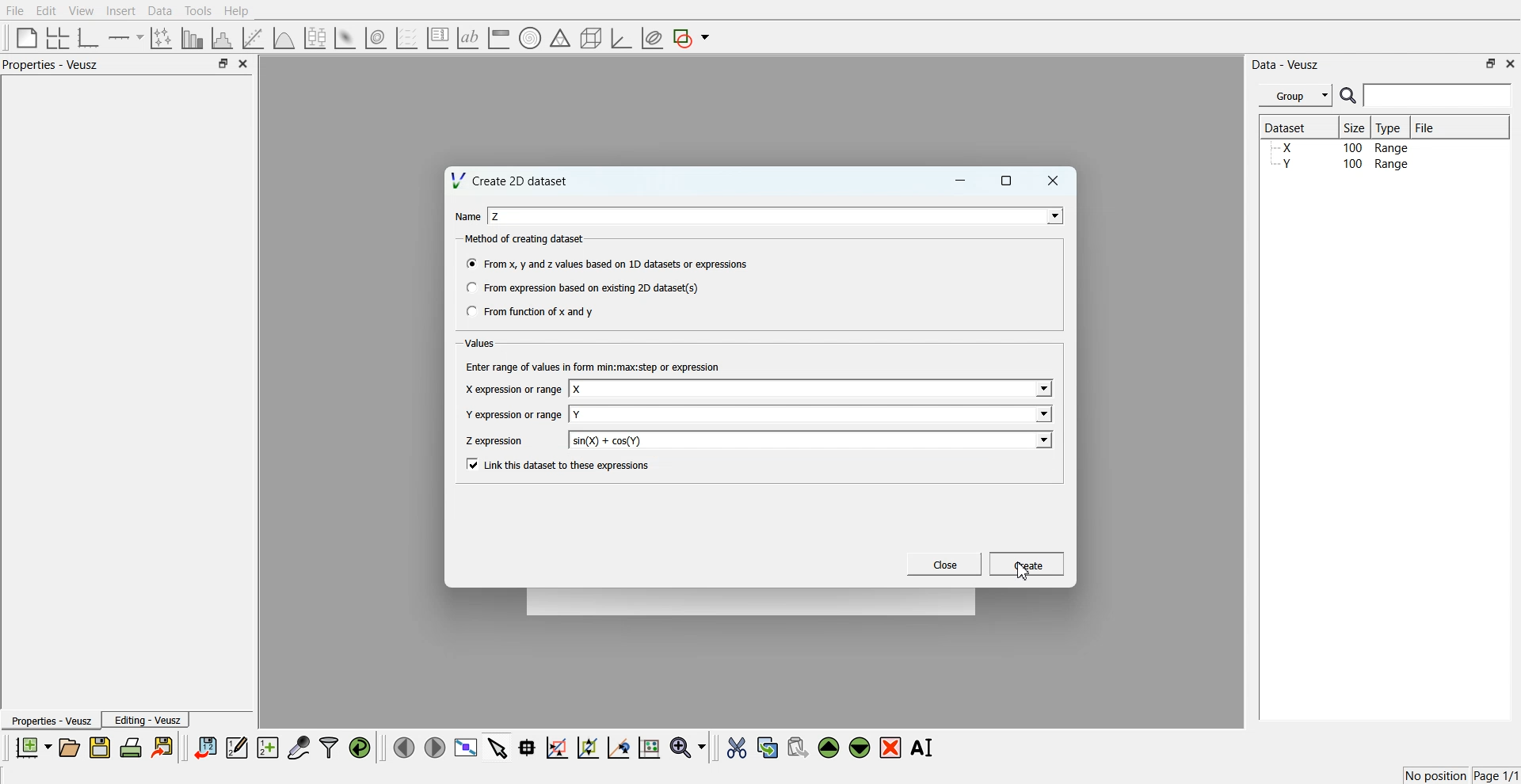 The height and width of the screenshot is (784, 1521). I want to click on Drop down, so click(1051, 215).